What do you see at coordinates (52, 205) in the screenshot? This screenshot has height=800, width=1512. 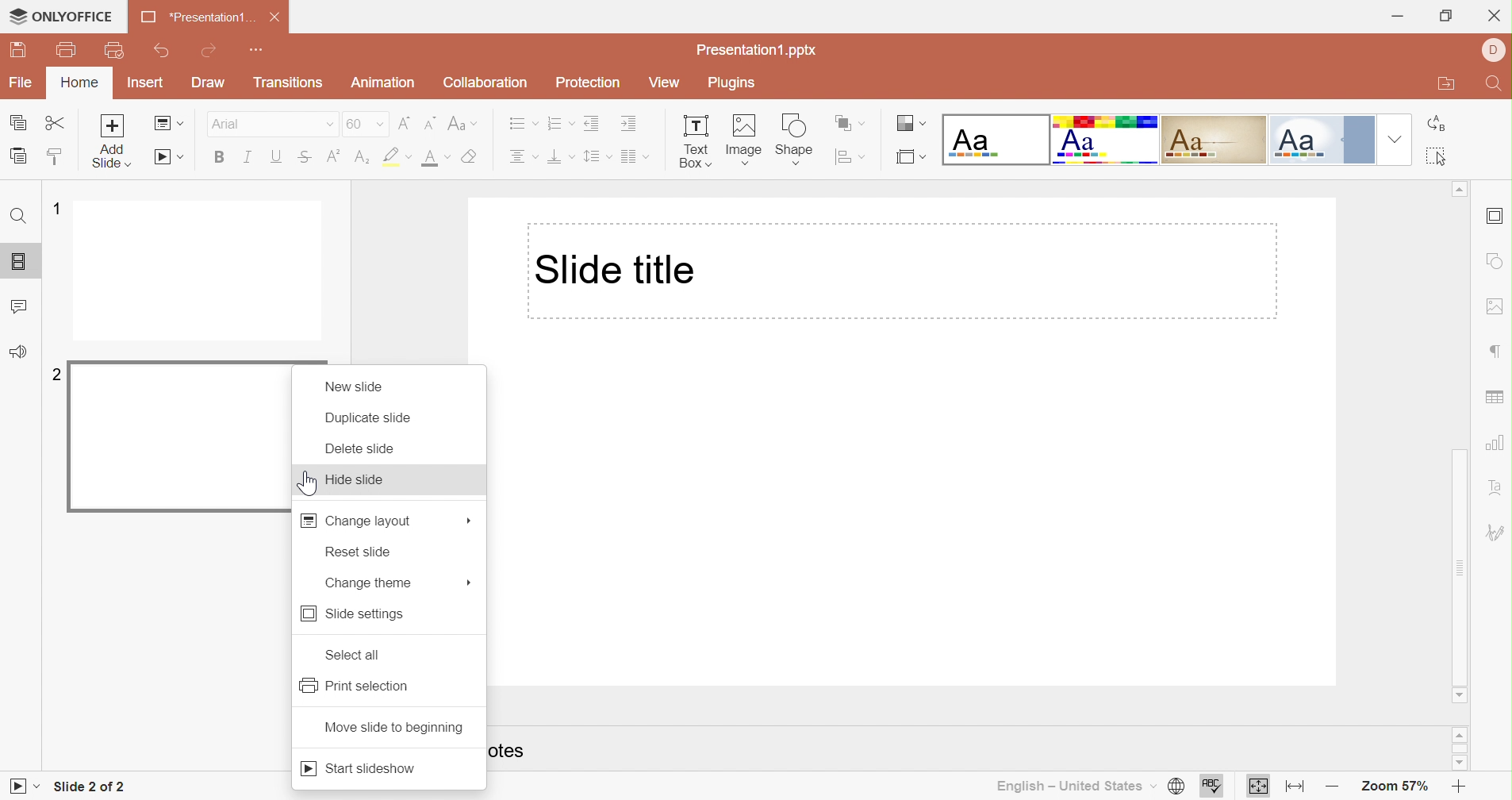 I see `1` at bounding box center [52, 205].